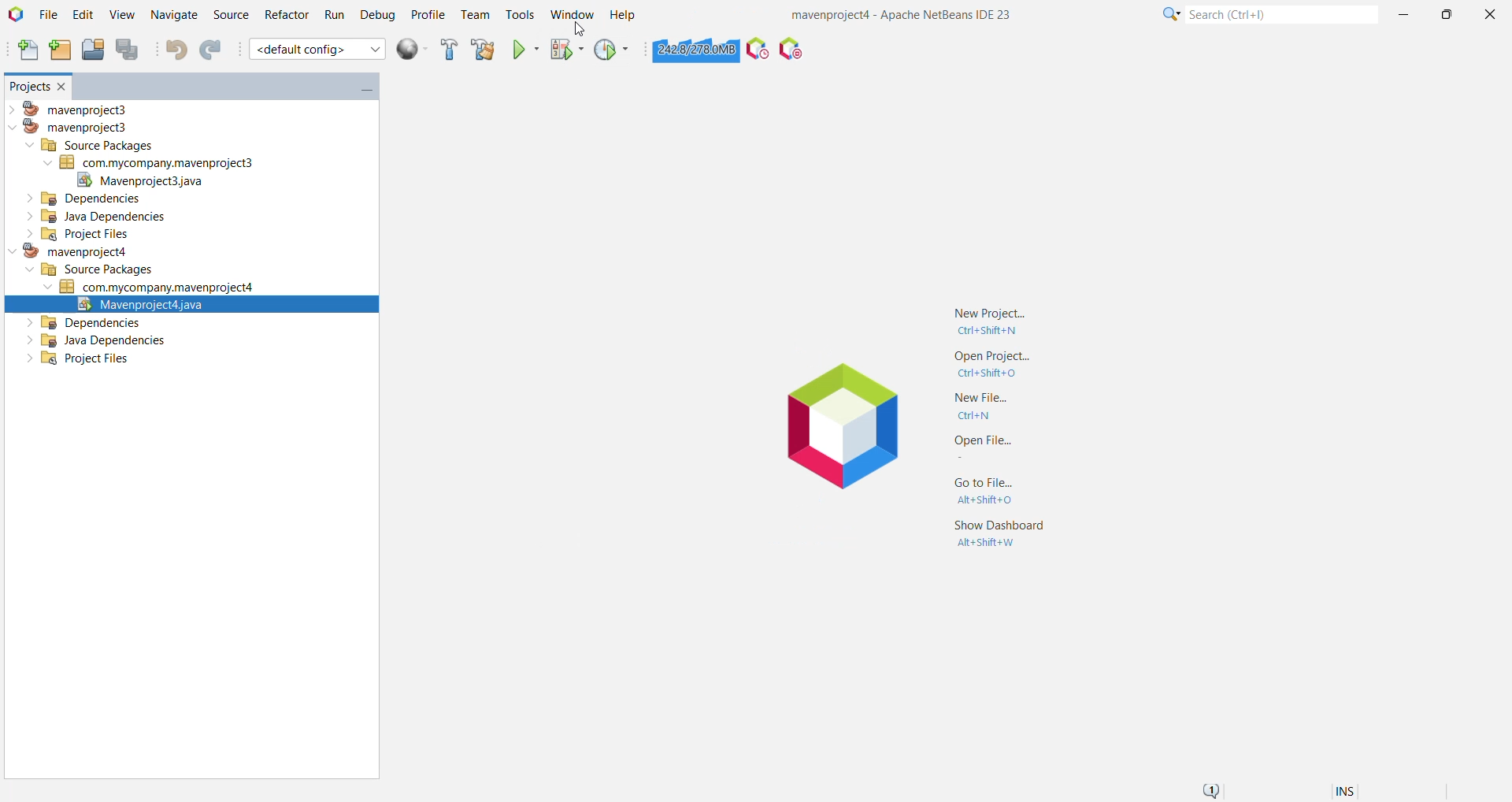 This screenshot has width=1512, height=802. What do you see at coordinates (73, 108) in the screenshot?
I see `mavenproject3` at bounding box center [73, 108].